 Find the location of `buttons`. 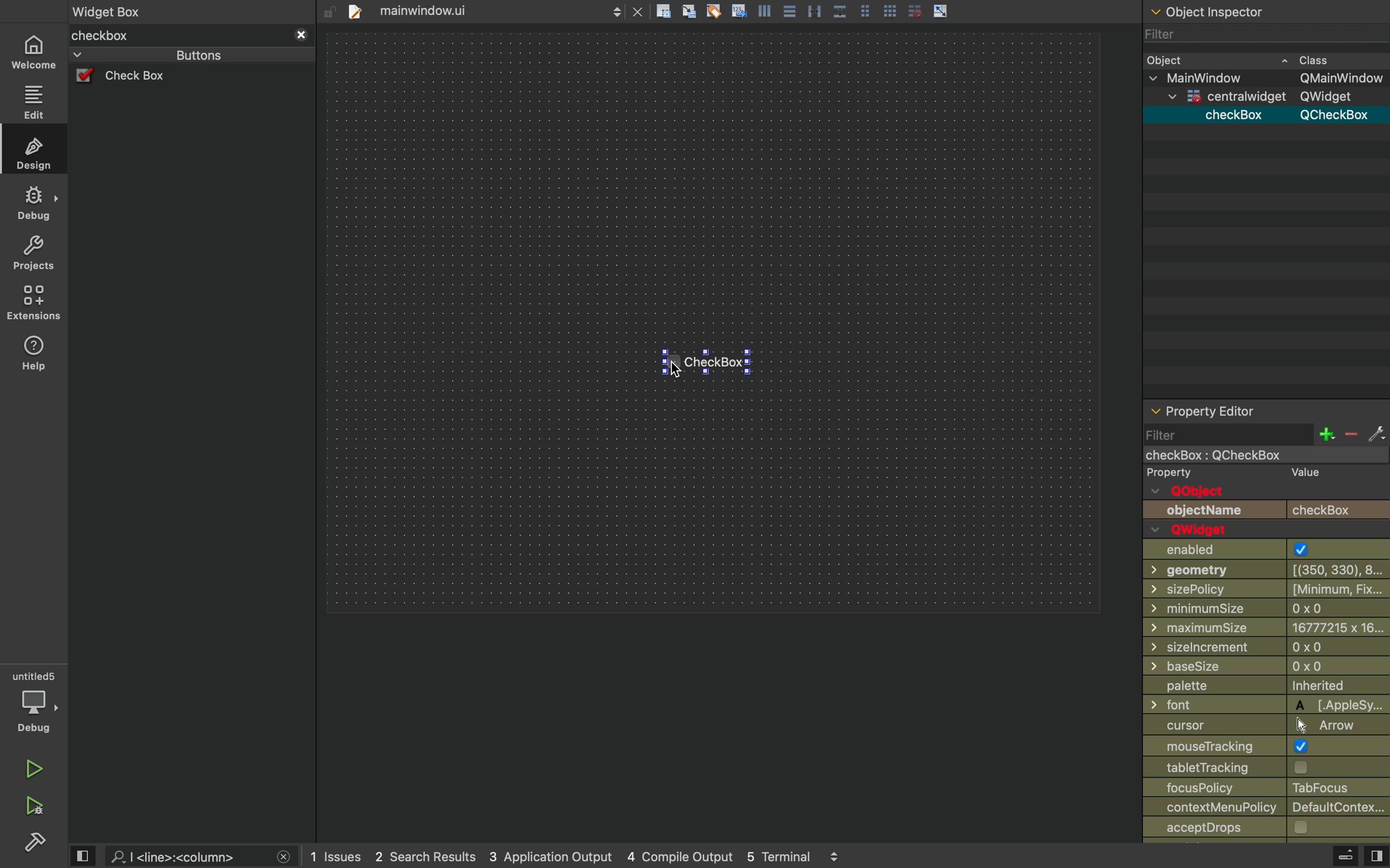

buttons is located at coordinates (175, 55).